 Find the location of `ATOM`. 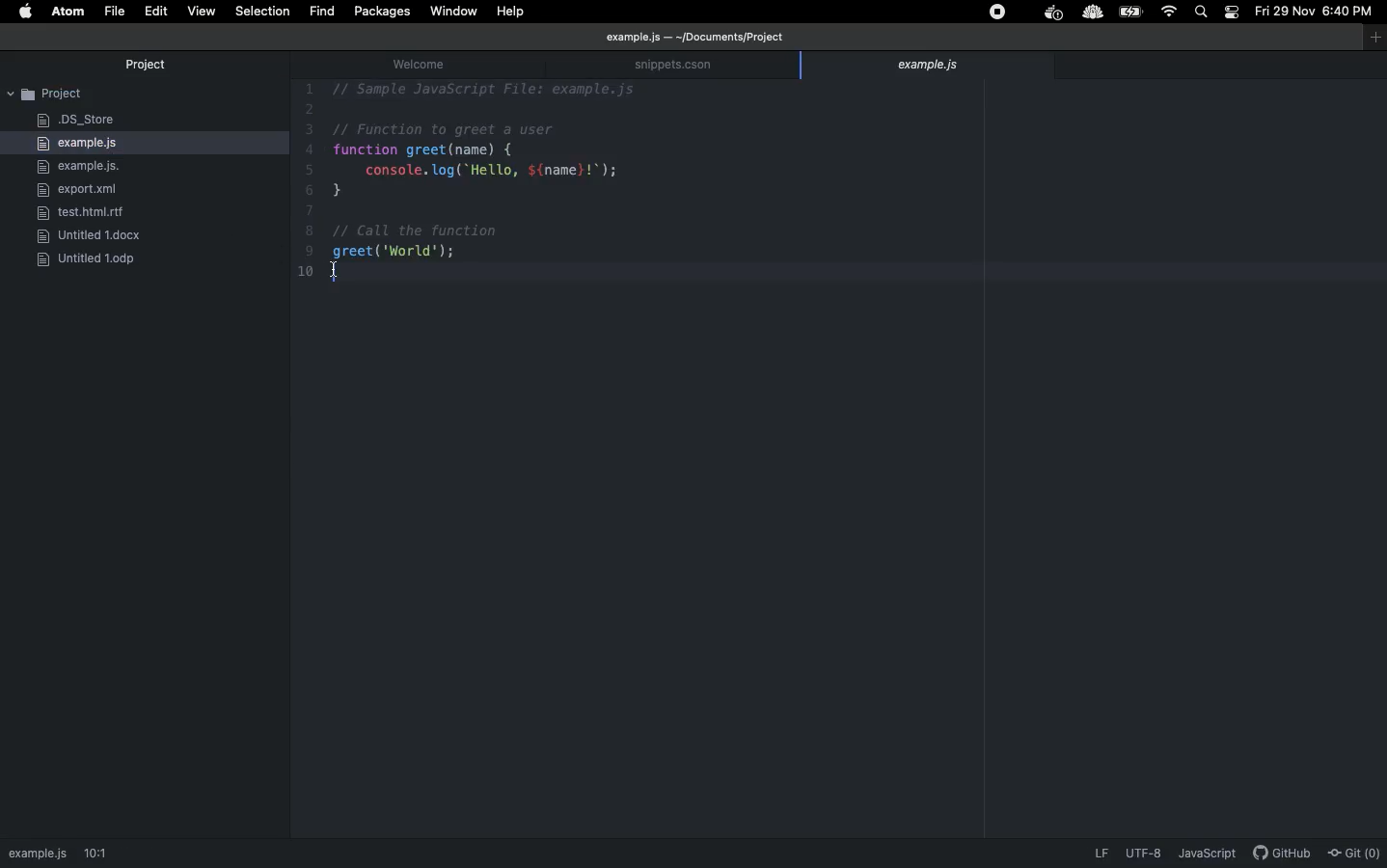

ATOM is located at coordinates (68, 12).